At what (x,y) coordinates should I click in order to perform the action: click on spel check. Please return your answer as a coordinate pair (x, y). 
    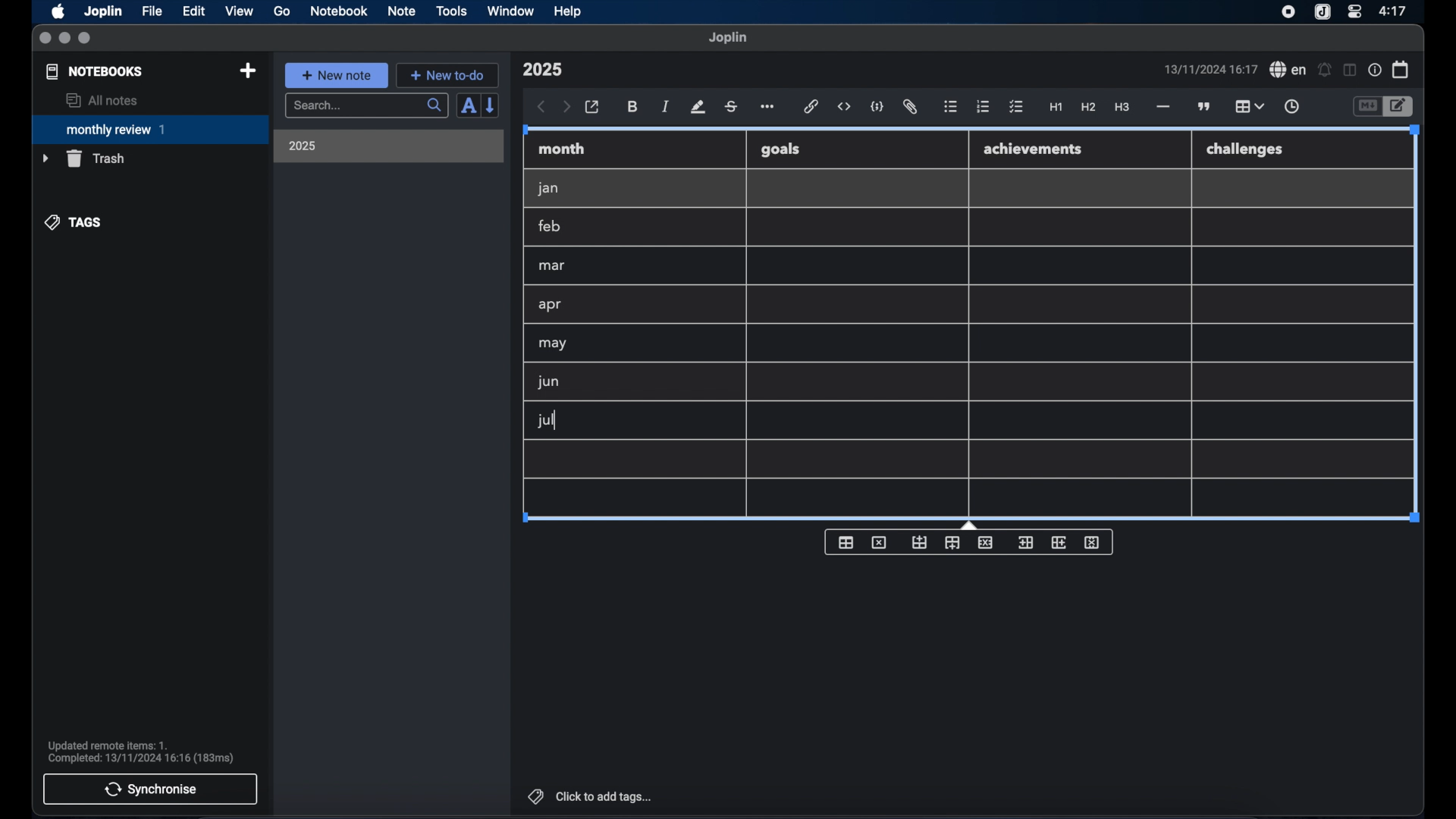
    Looking at the image, I should click on (1288, 70).